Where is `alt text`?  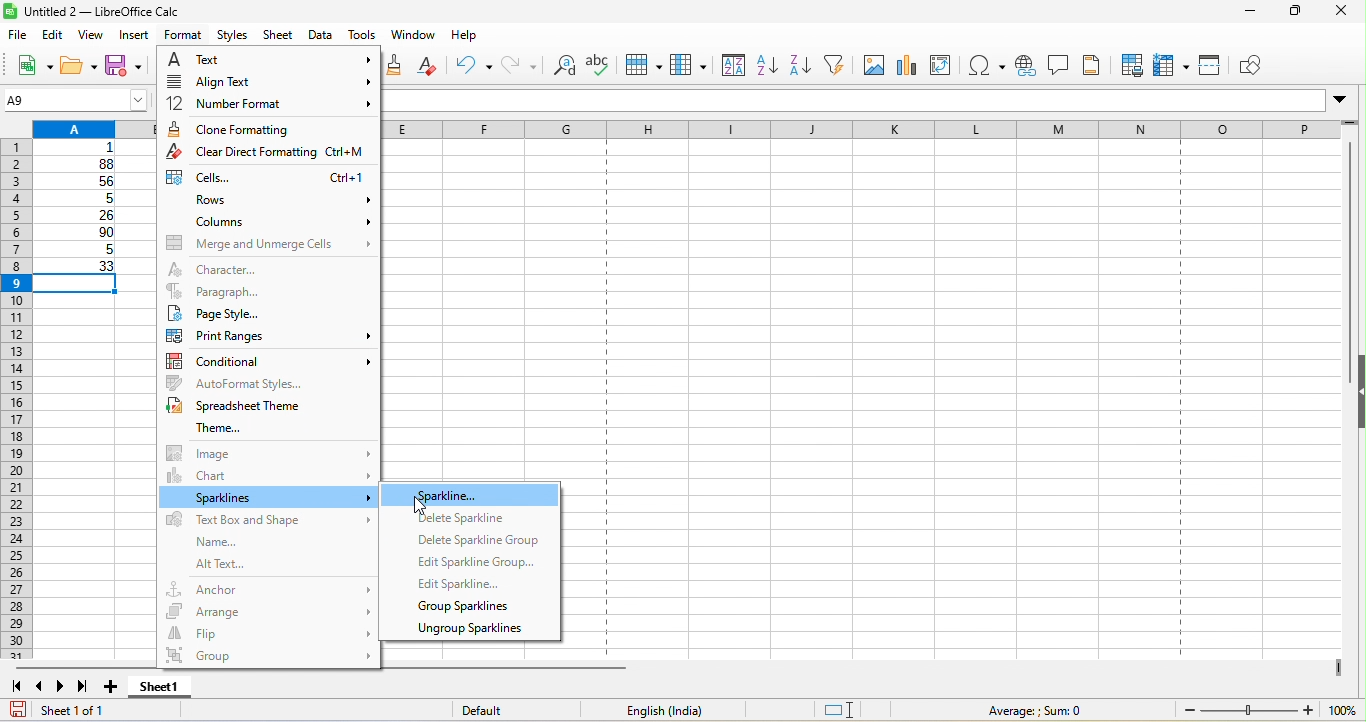 alt text is located at coordinates (252, 565).